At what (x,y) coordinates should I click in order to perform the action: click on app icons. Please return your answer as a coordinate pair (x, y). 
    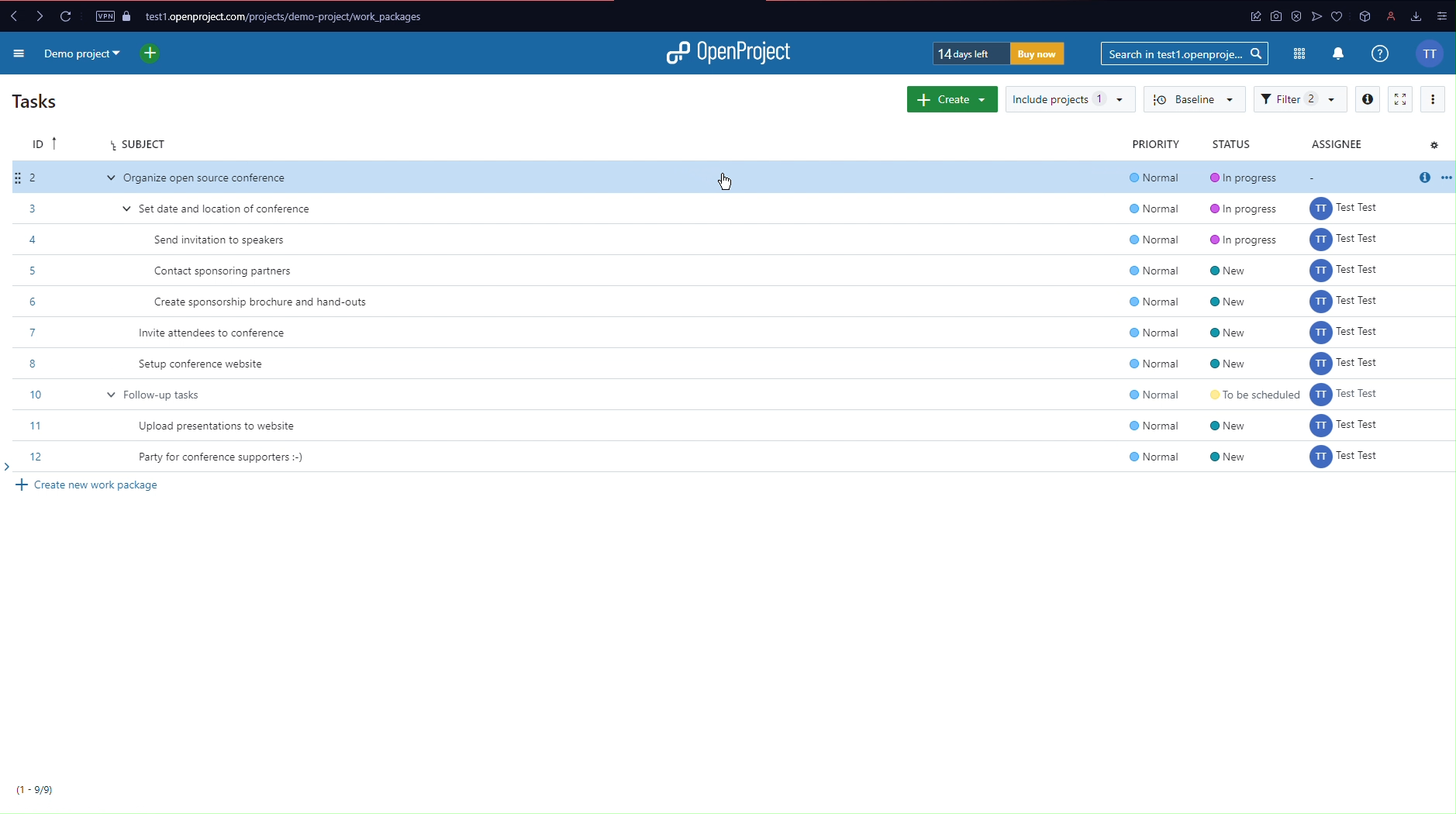
    Looking at the image, I should click on (1337, 16).